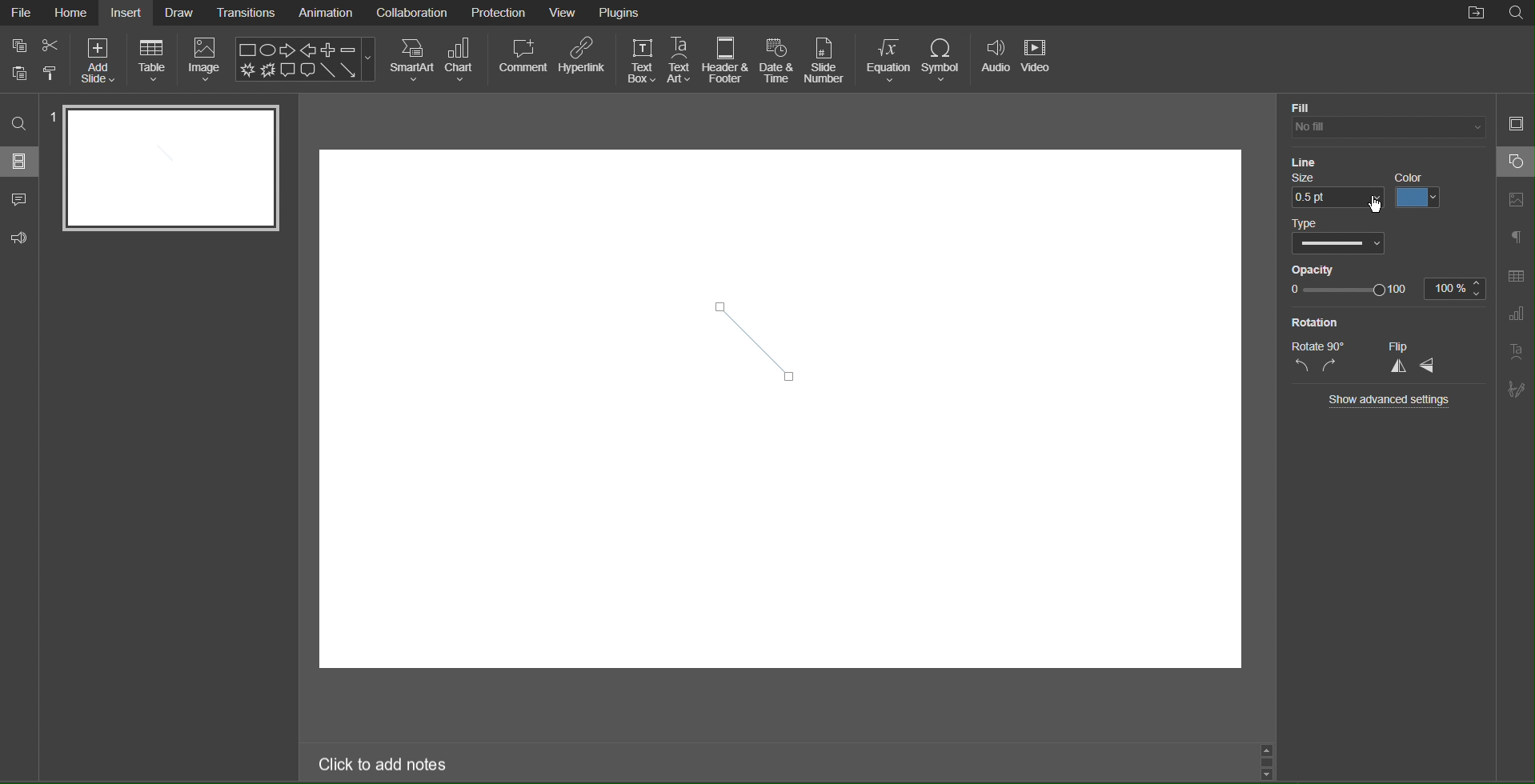  What do you see at coordinates (1456, 287) in the screenshot?
I see `100%` at bounding box center [1456, 287].